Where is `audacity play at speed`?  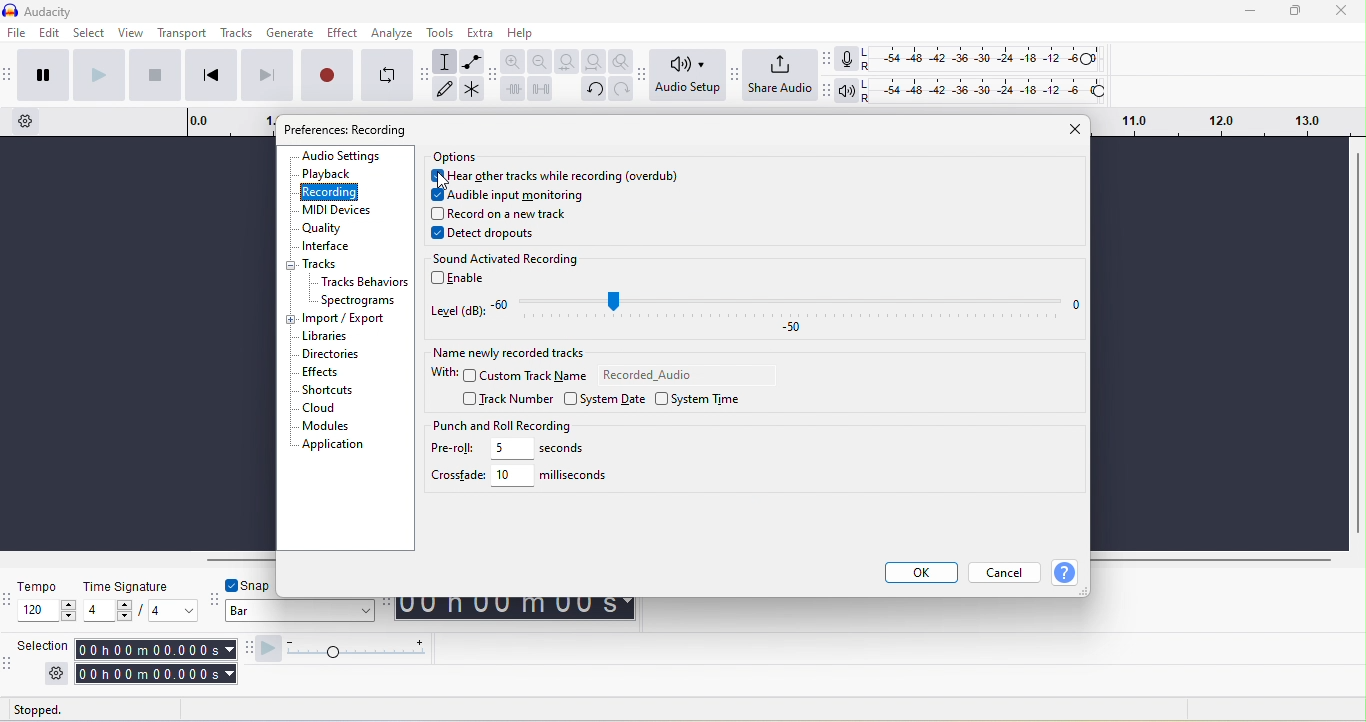
audacity play at speed is located at coordinates (250, 647).